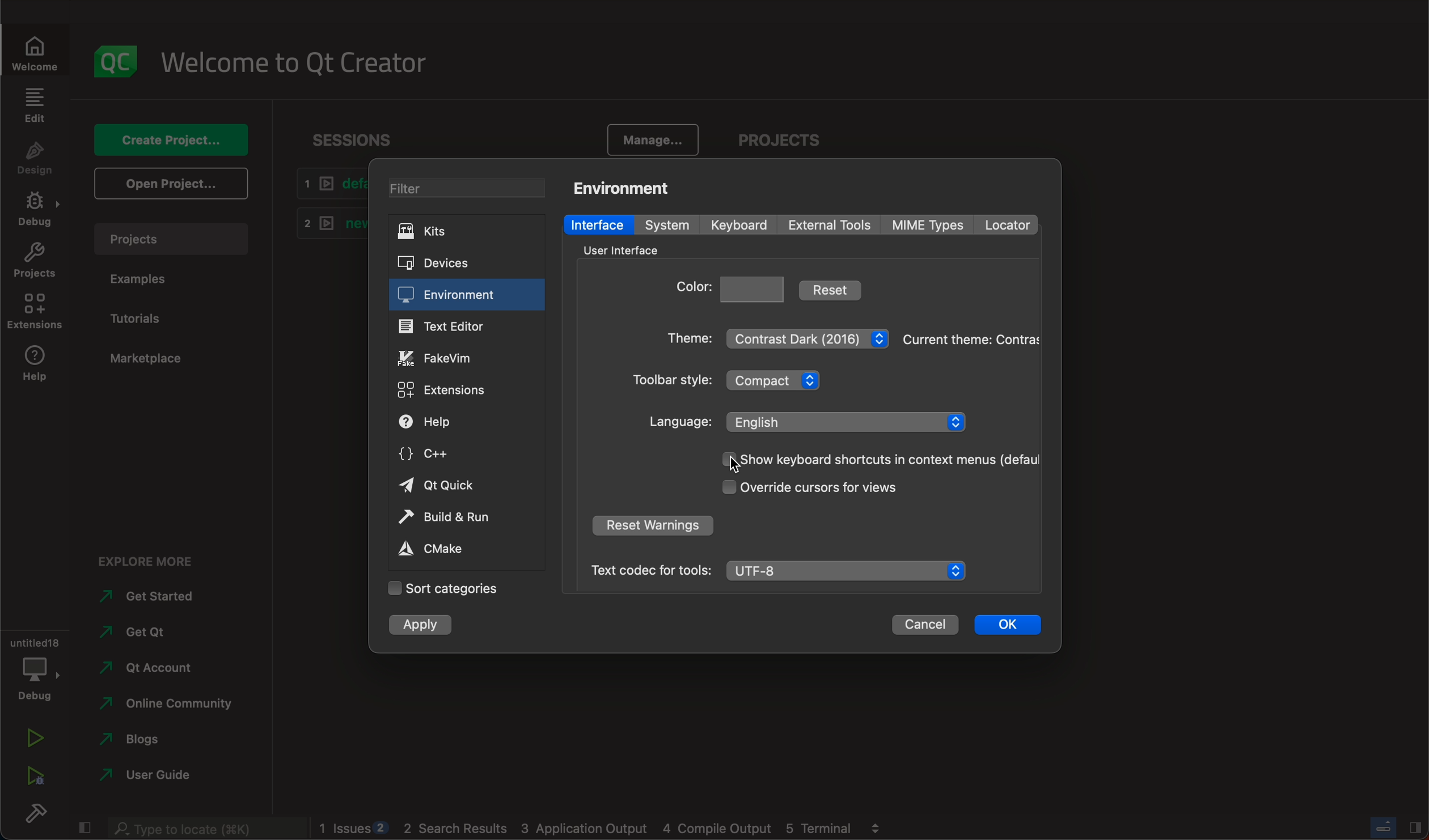  I want to click on close slide bar, so click(1398, 826).